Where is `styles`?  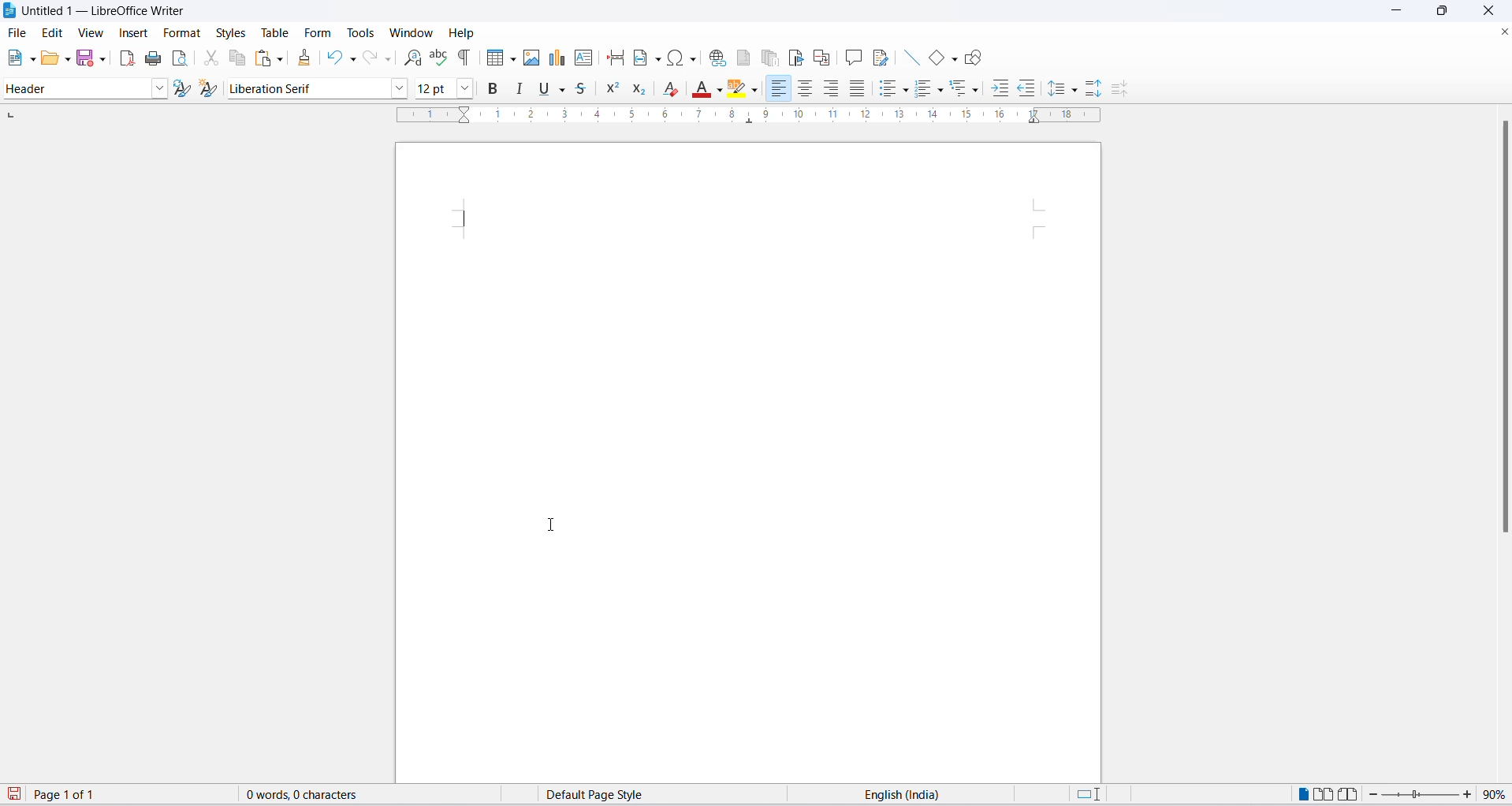 styles is located at coordinates (229, 31).